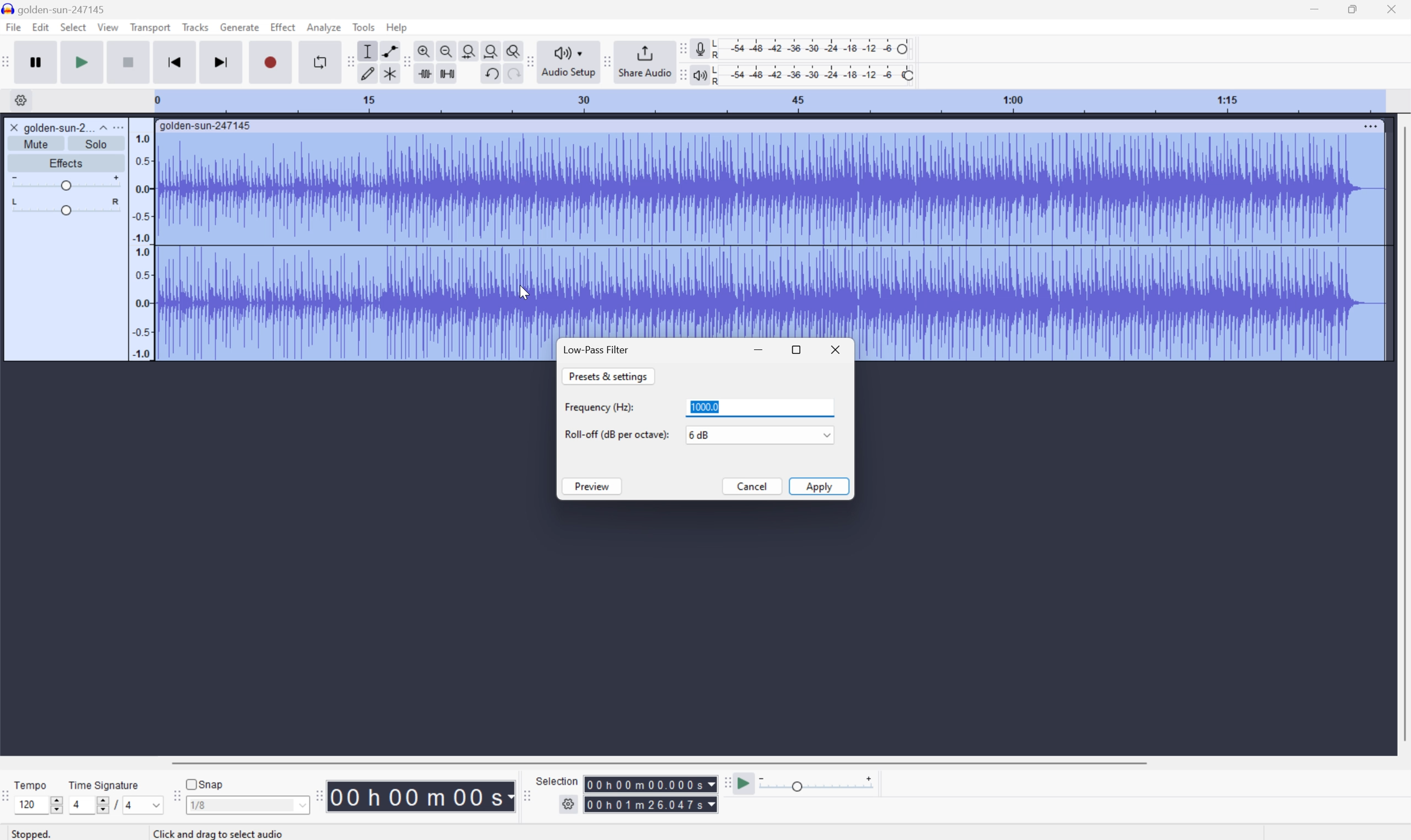 This screenshot has width=1411, height=840. Describe the element at coordinates (151, 28) in the screenshot. I see `Transport` at that location.